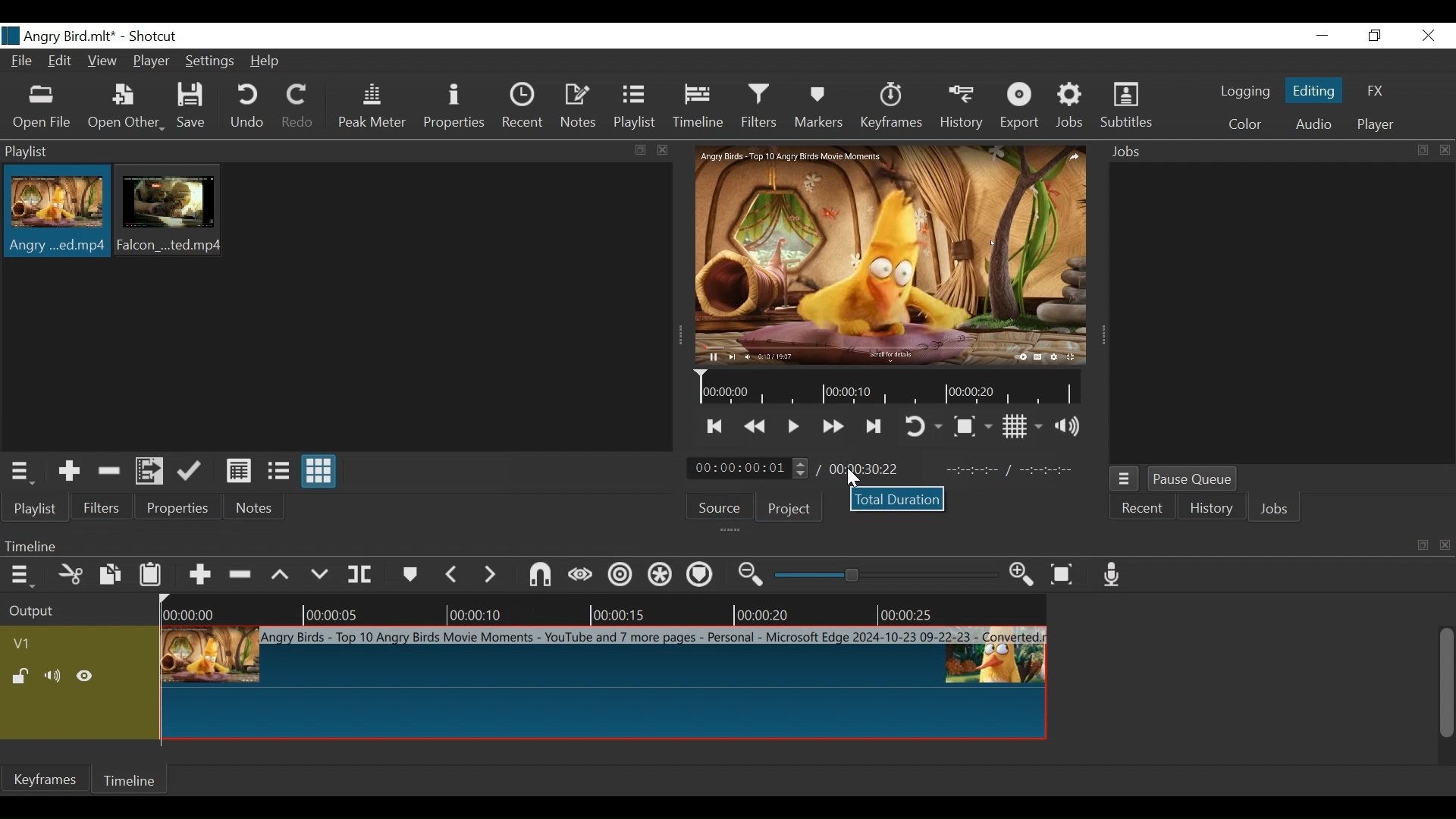  I want to click on Undo, so click(248, 107).